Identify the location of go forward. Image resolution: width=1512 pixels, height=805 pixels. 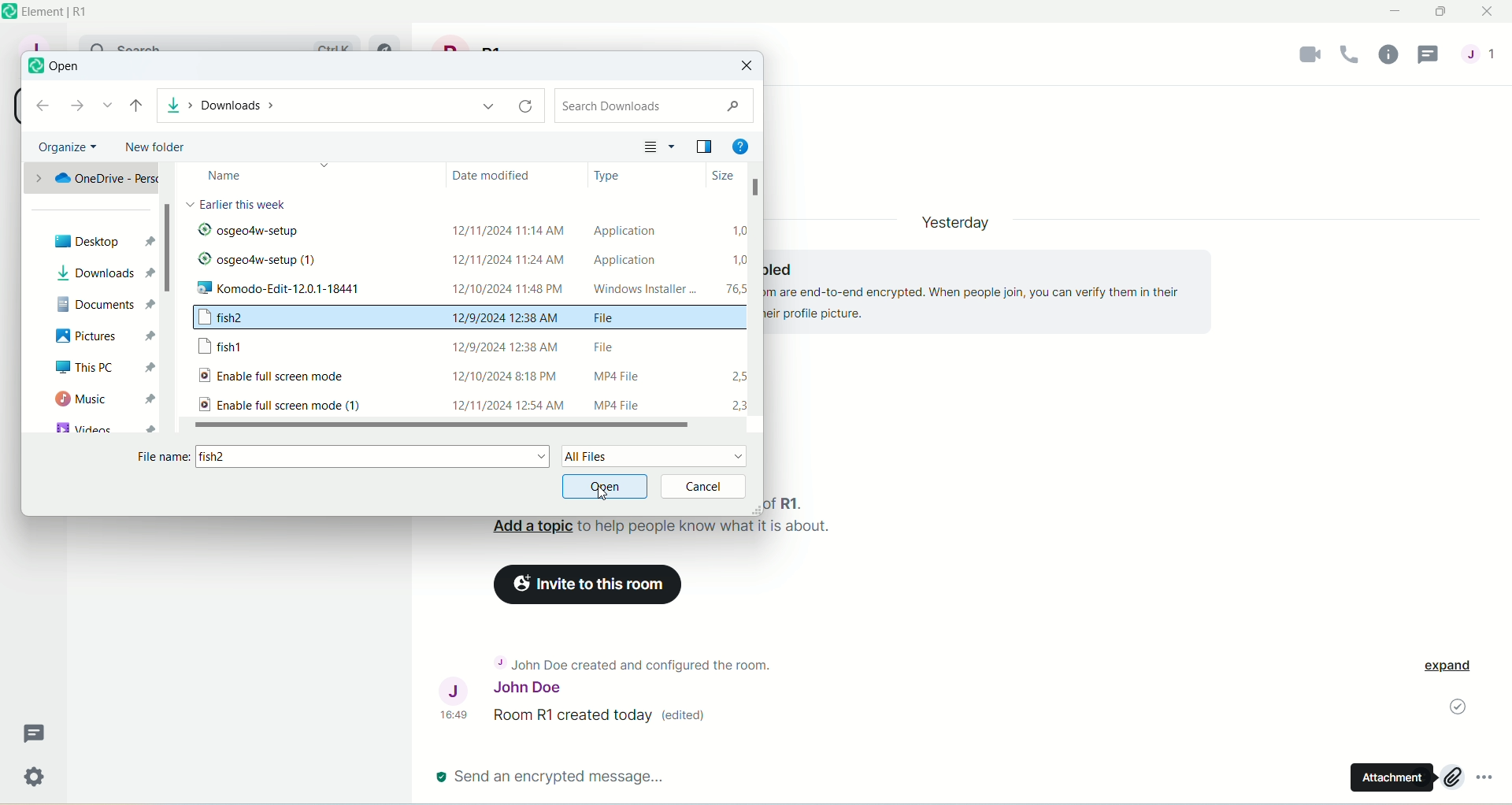
(76, 107).